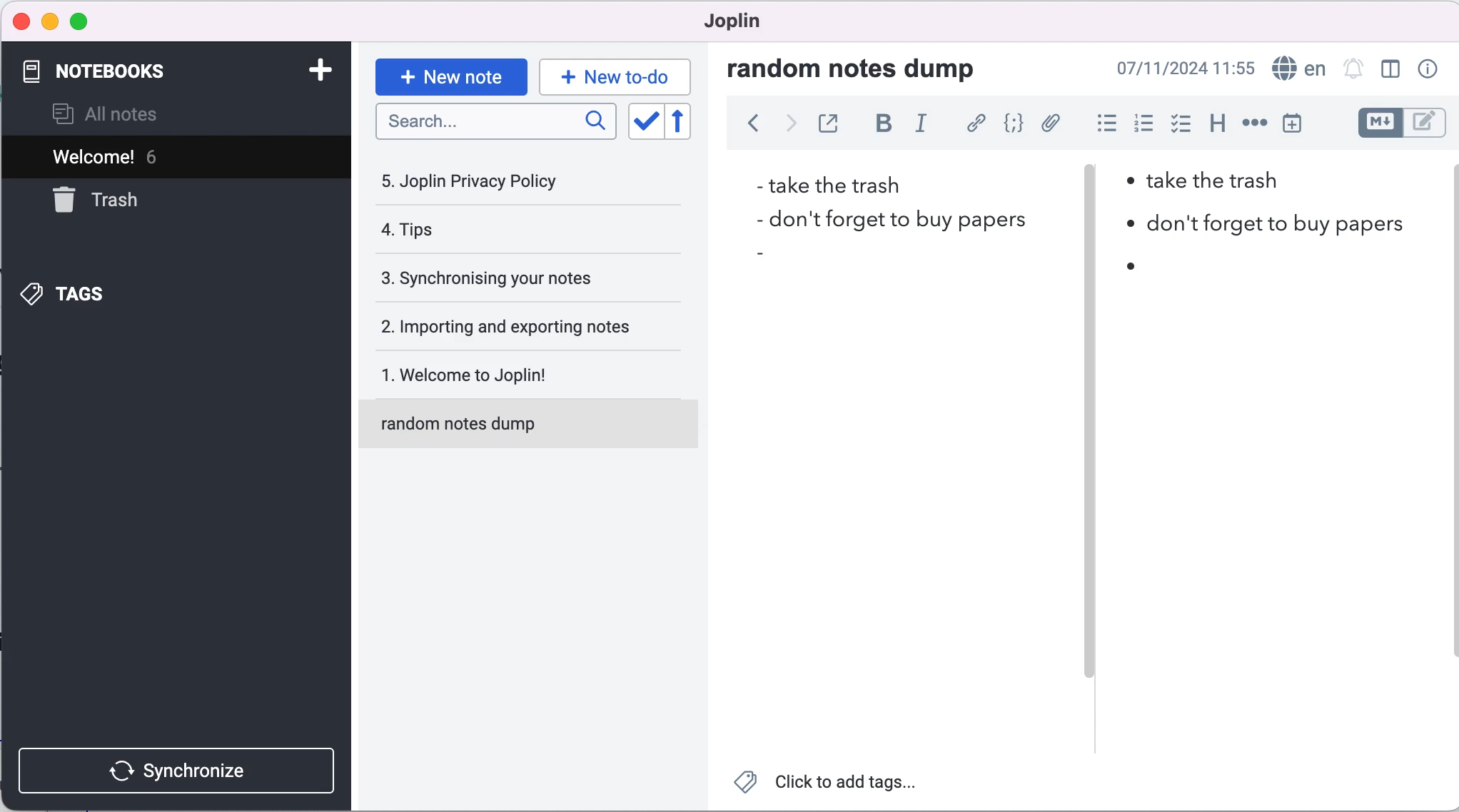  What do you see at coordinates (131, 201) in the screenshot?
I see `trash` at bounding box center [131, 201].